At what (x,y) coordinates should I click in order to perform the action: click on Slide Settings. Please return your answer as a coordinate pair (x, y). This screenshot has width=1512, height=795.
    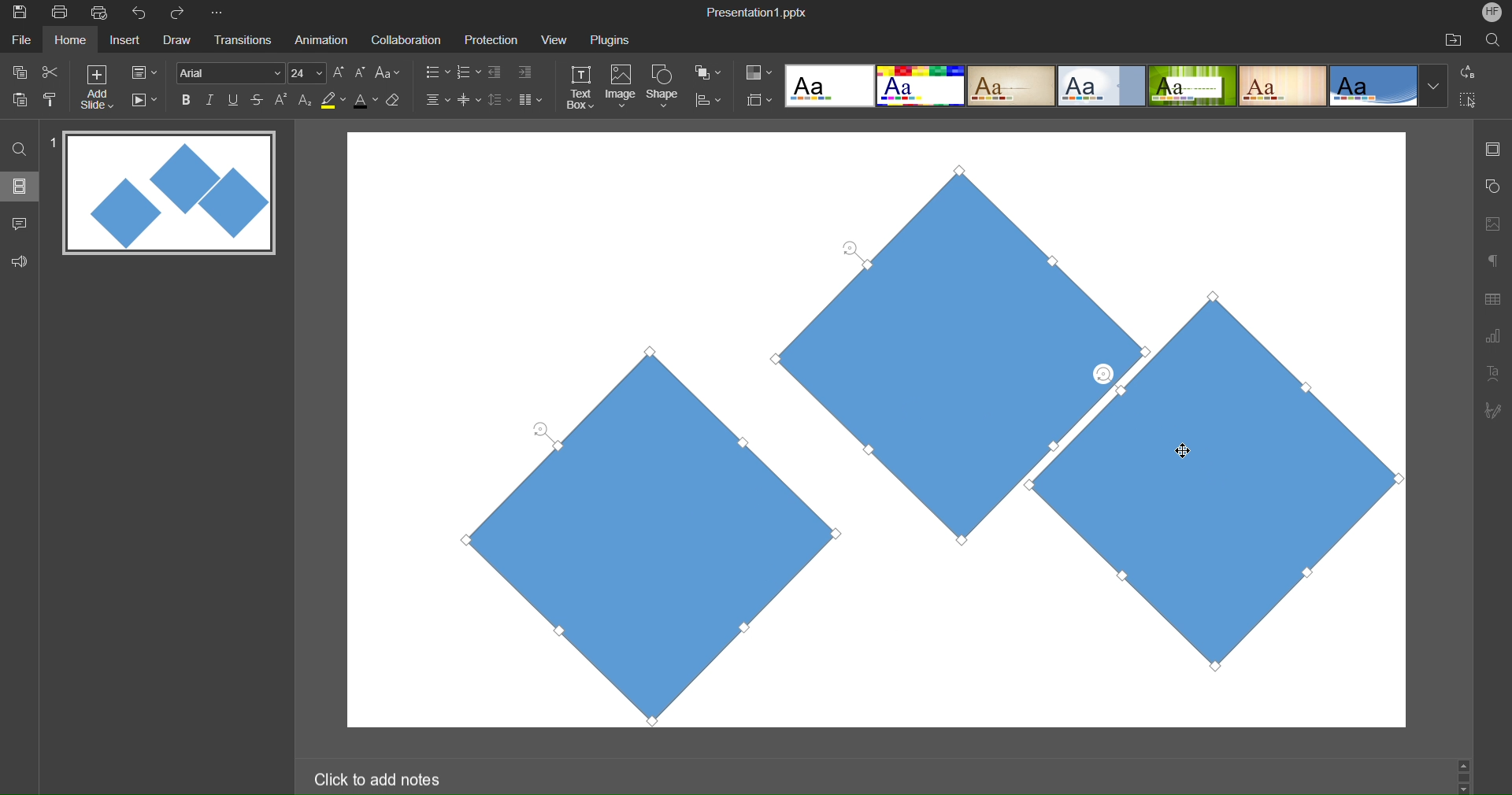
    Looking at the image, I should click on (144, 72).